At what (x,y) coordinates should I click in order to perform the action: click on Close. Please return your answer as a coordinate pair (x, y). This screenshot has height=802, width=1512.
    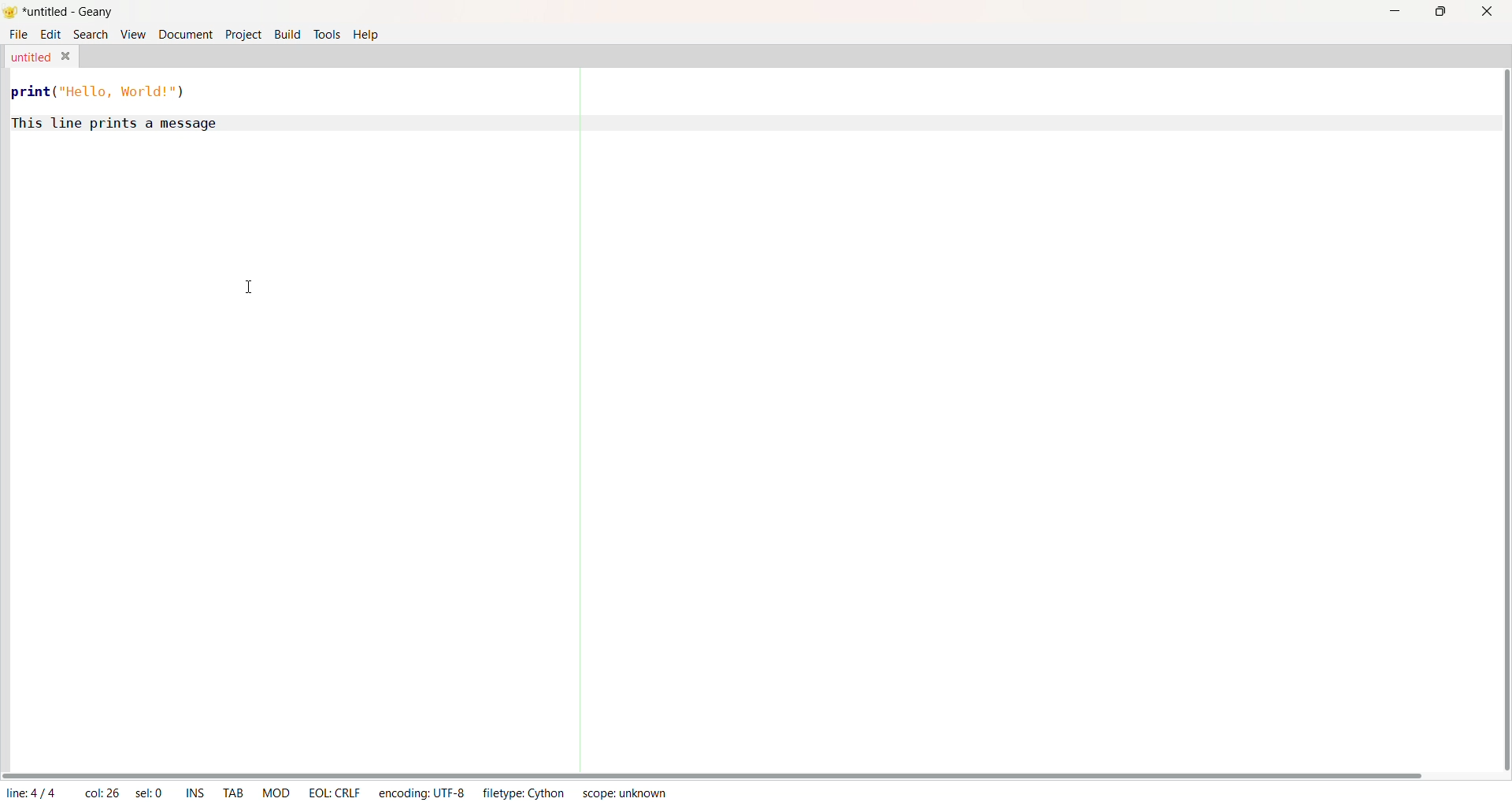
    Looking at the image, I should click on (1485, 12).